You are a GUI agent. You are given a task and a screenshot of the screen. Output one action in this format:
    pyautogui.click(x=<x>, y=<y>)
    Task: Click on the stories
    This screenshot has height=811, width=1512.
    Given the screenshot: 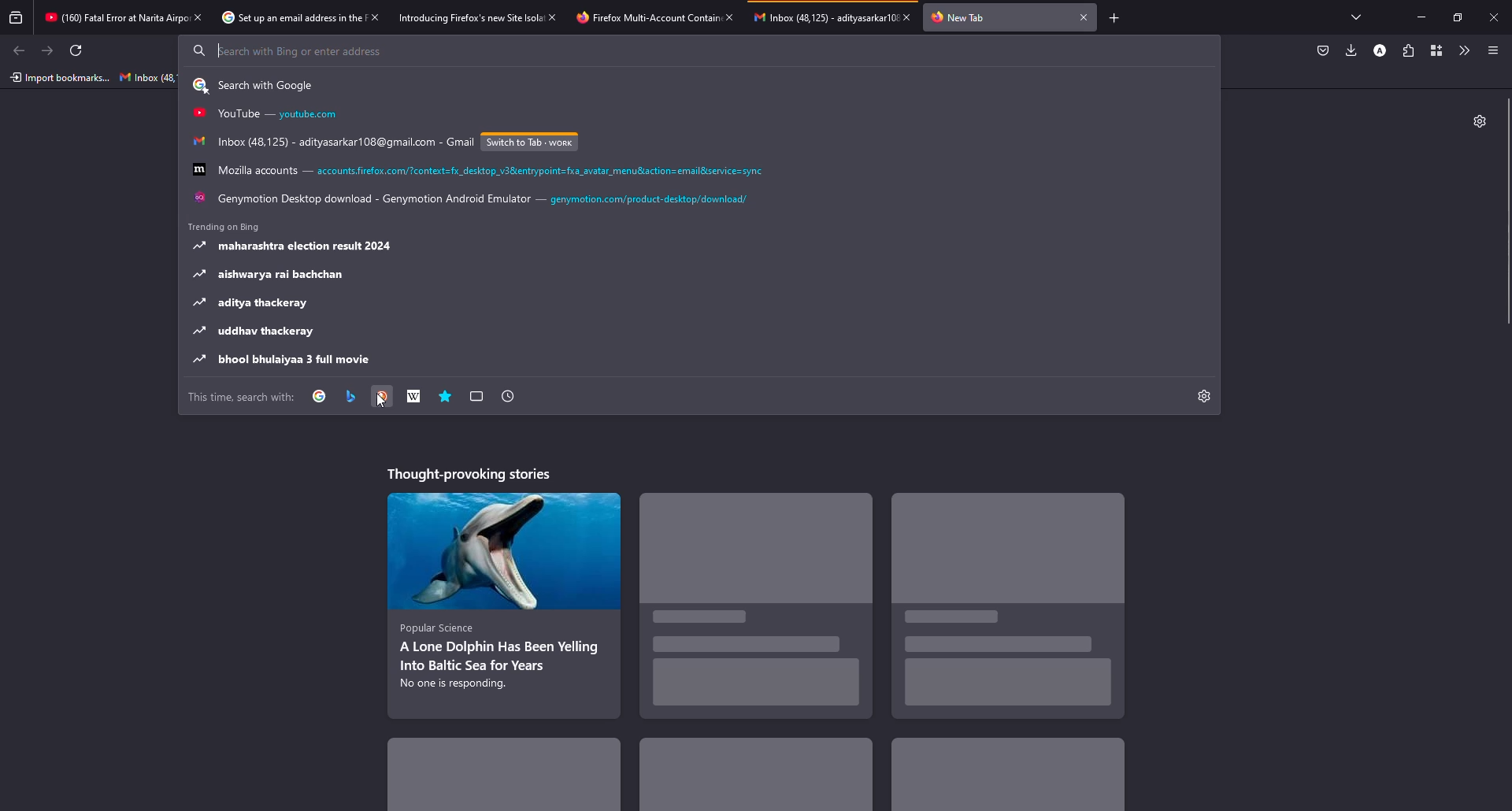 What is the action you would take?
    pyautogui.click(x=474, y=474)
    